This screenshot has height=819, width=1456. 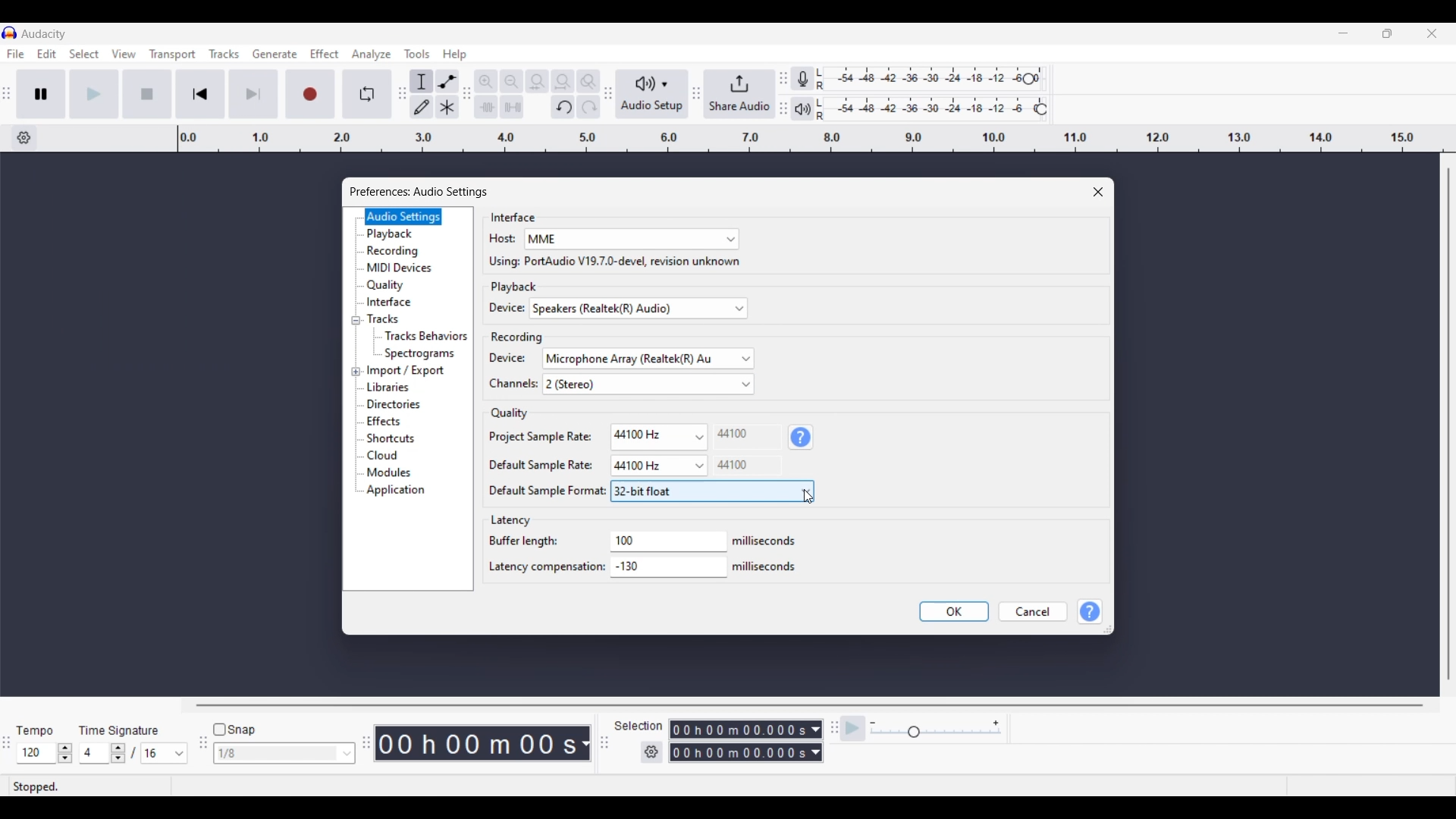 What do you see at coordinates (954, 612) in the screenshot?
I see `Save inputs made` at bounding box center [954, 612].